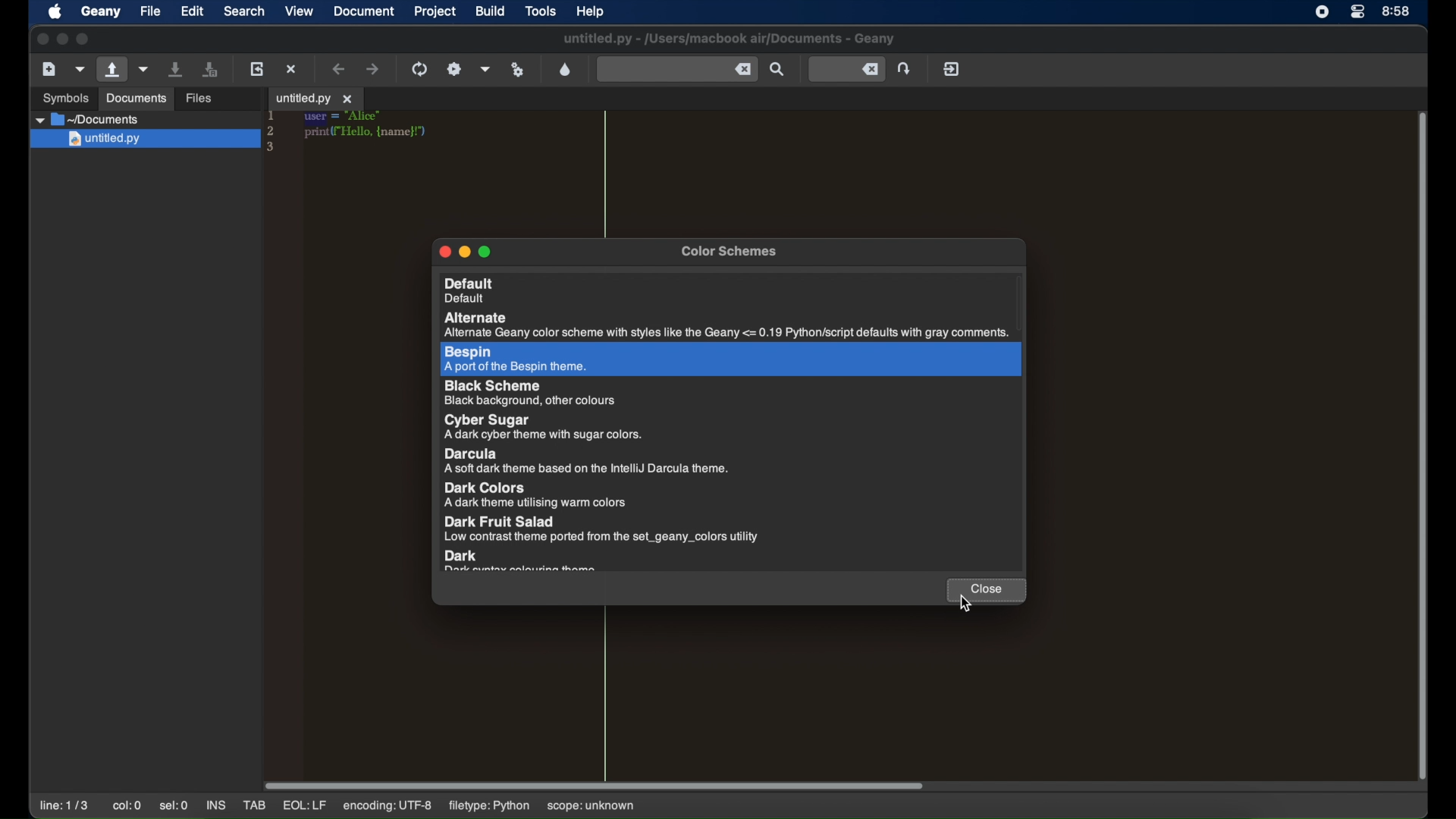 The image size is (1456, 819). I want to click on tab, so click(315, 99).